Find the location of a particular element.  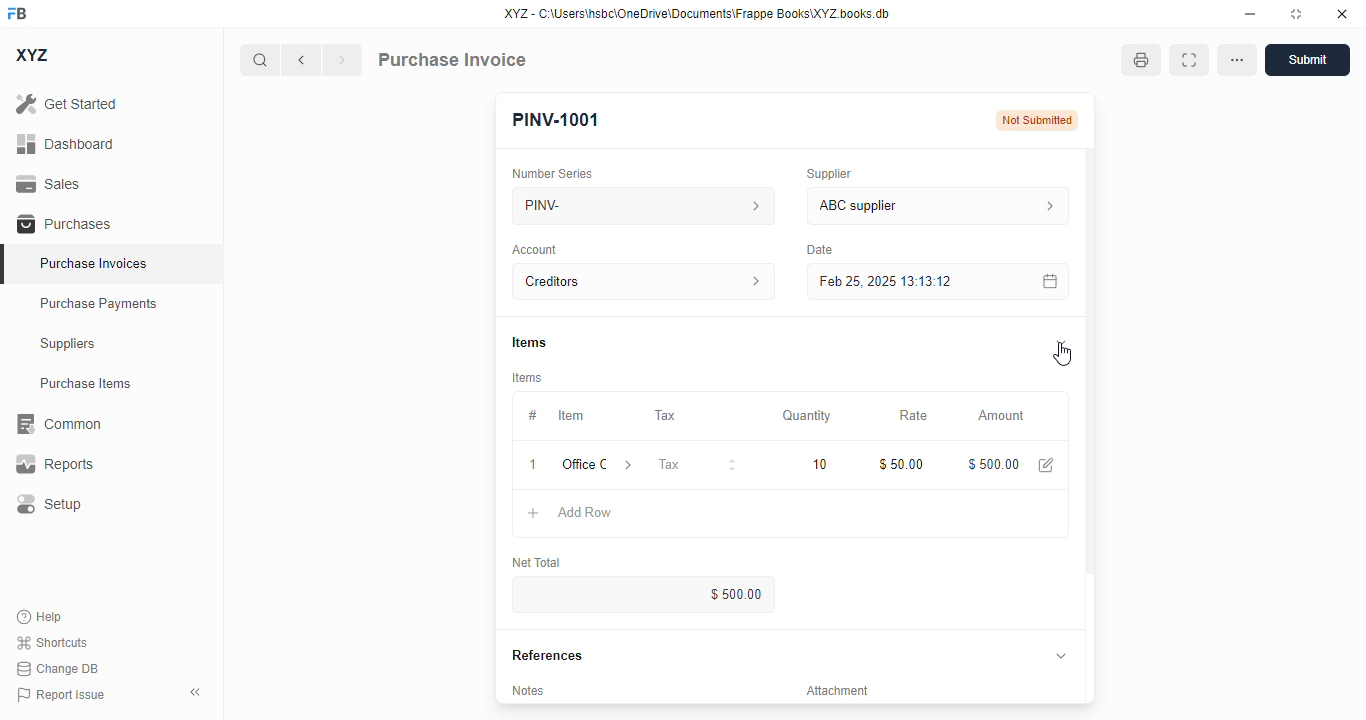

item is located at coordinates (571, 416).